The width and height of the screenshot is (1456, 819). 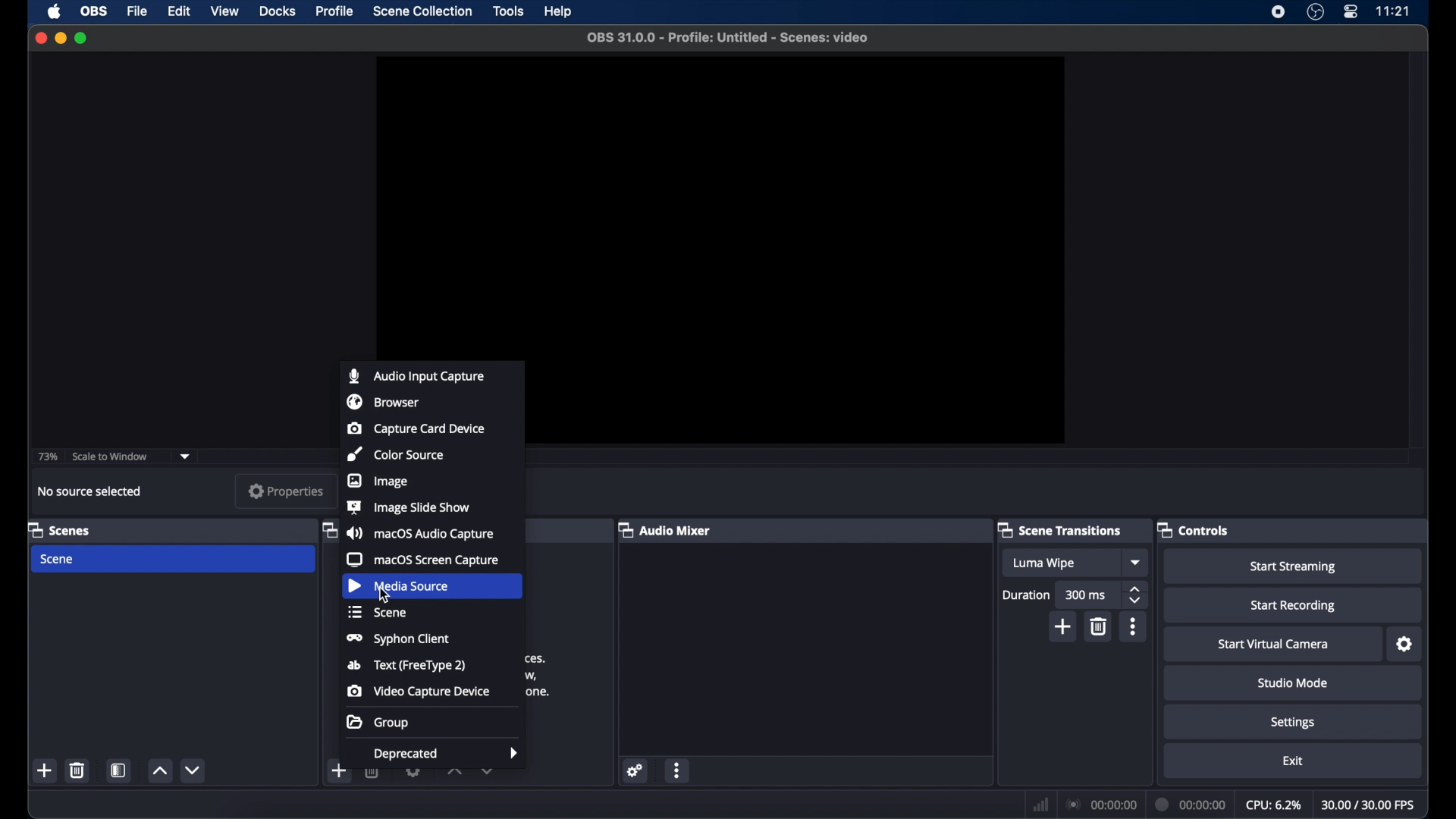 What do you see at coordinates (509, 11) in the screenshot?
I see `tools` at bounding box center [509, 11].